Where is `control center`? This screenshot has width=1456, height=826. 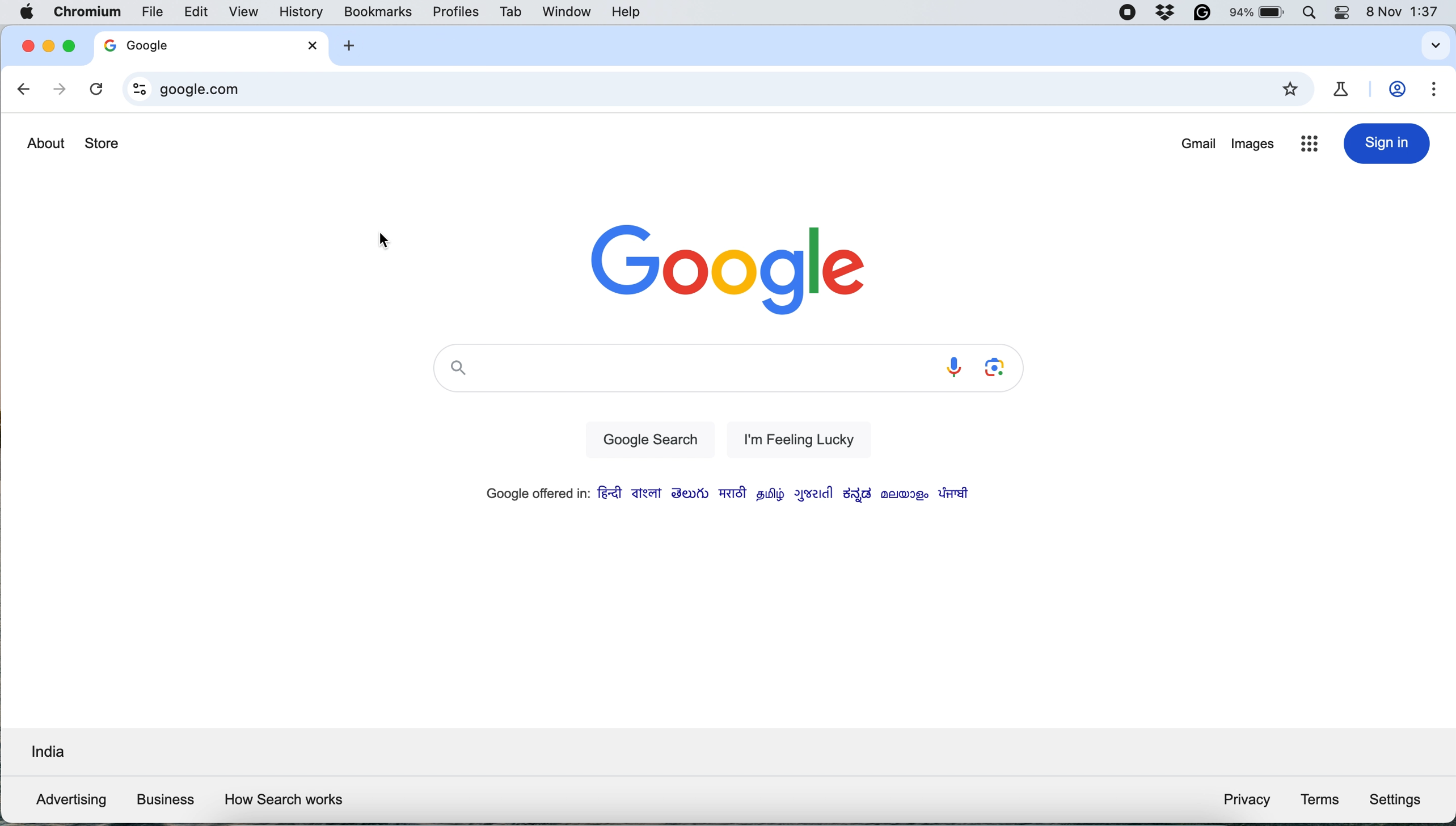 control center is located at coordinates (1347, 14).